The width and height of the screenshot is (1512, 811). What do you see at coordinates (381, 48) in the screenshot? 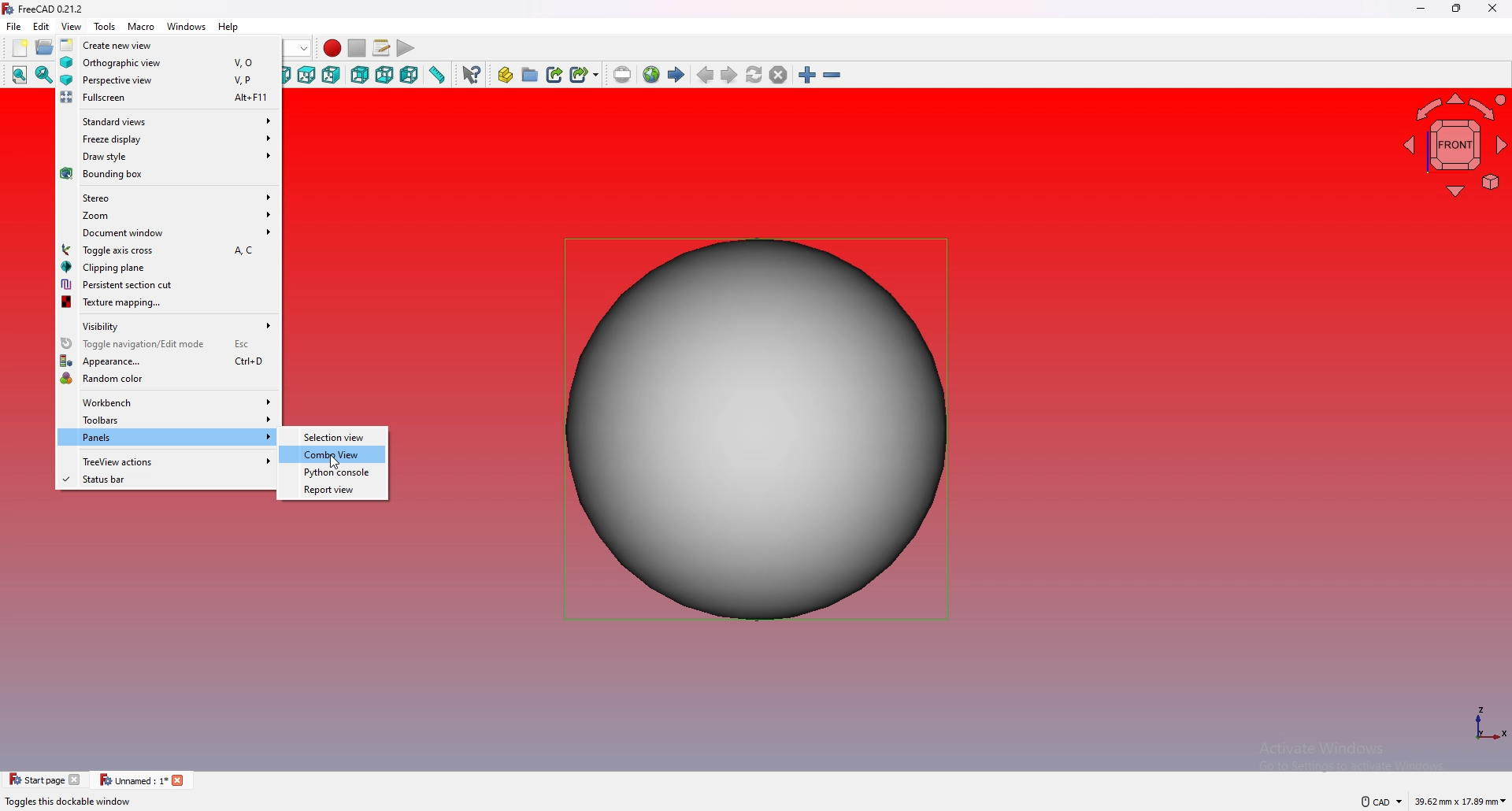
I see `macros` at bounding box center [381, 48].